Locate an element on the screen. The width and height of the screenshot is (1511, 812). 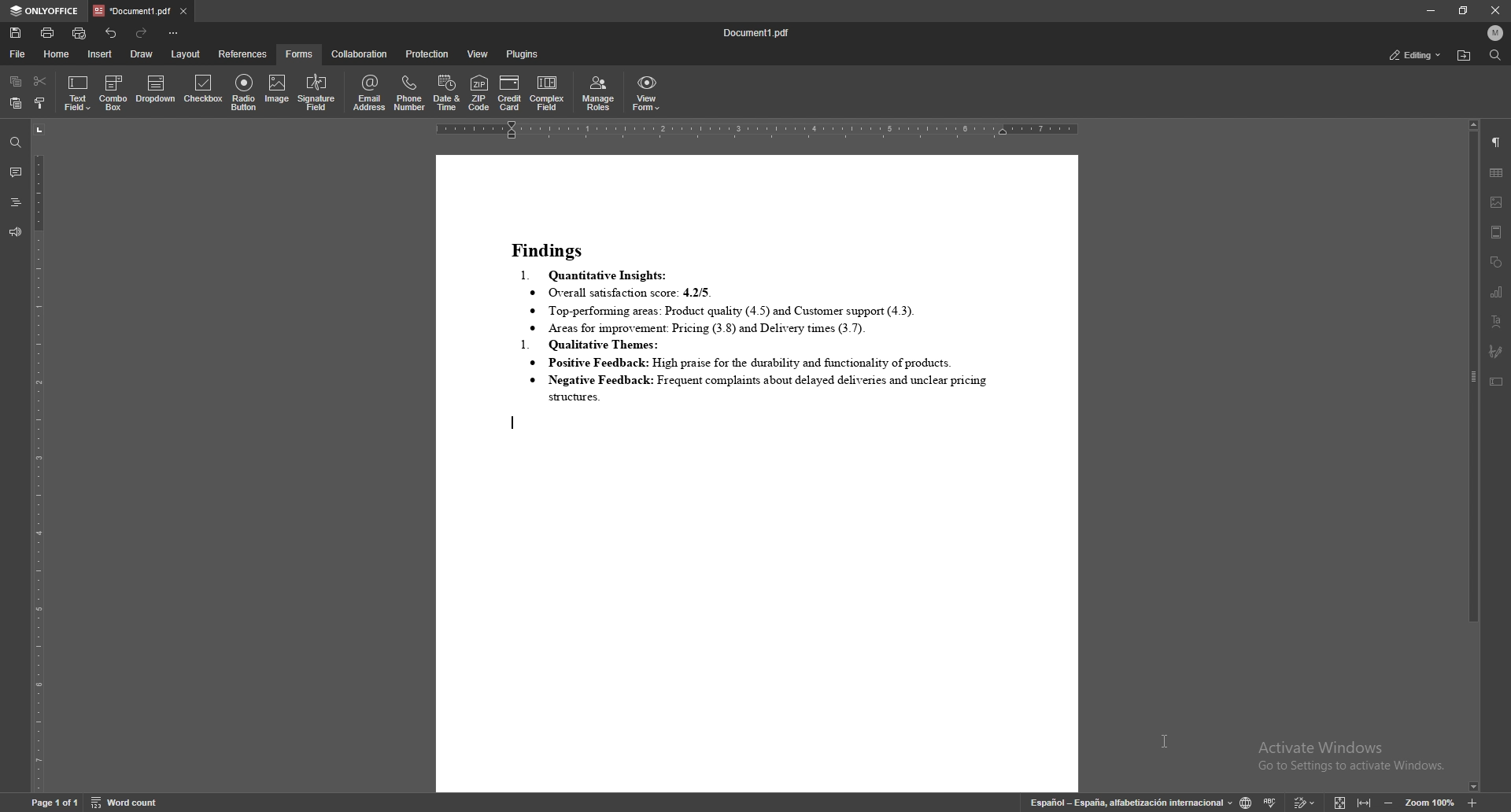
quick print is located at coordinates (80, 33).